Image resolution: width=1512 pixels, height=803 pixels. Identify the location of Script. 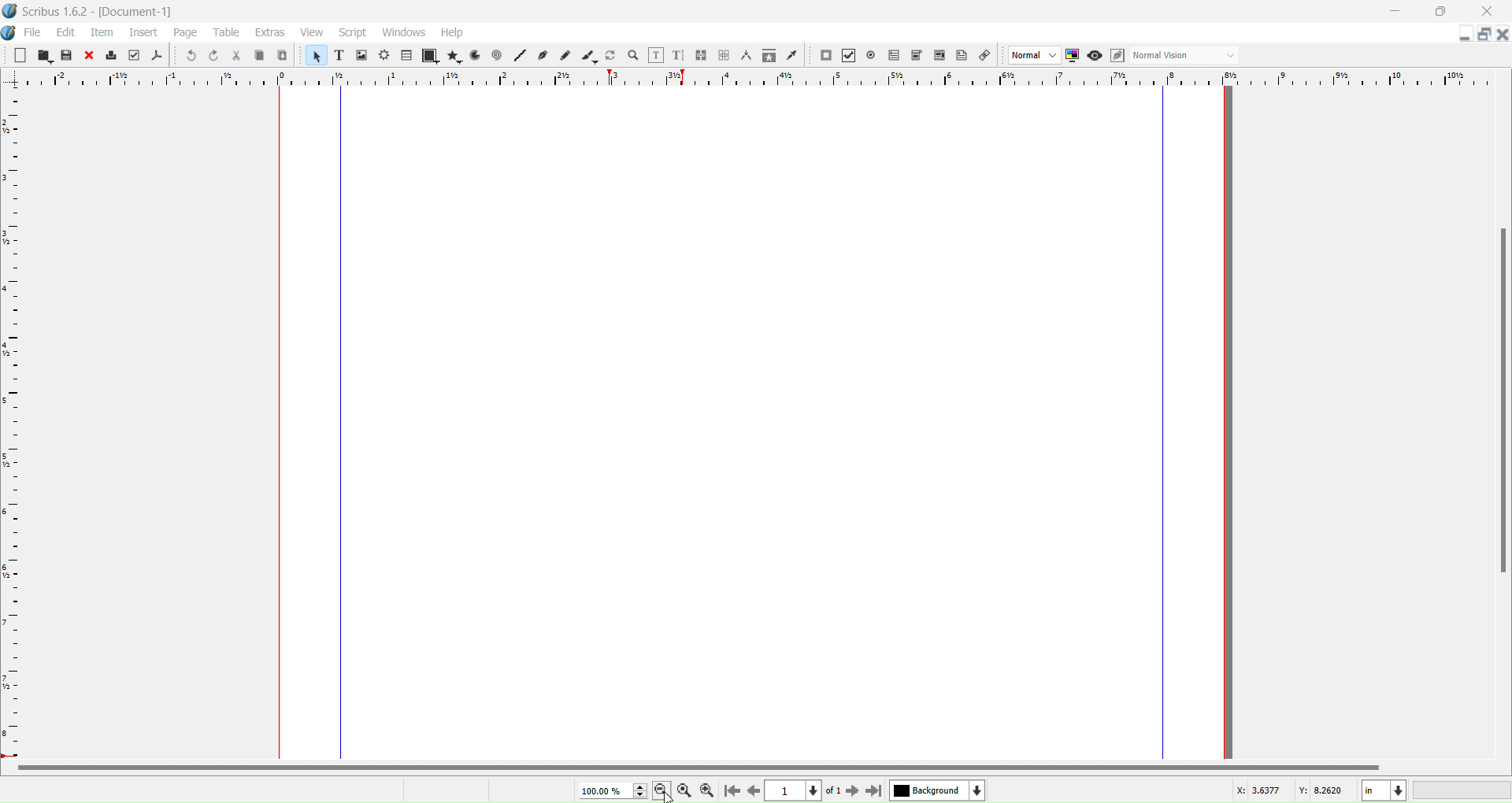
(354, 32).